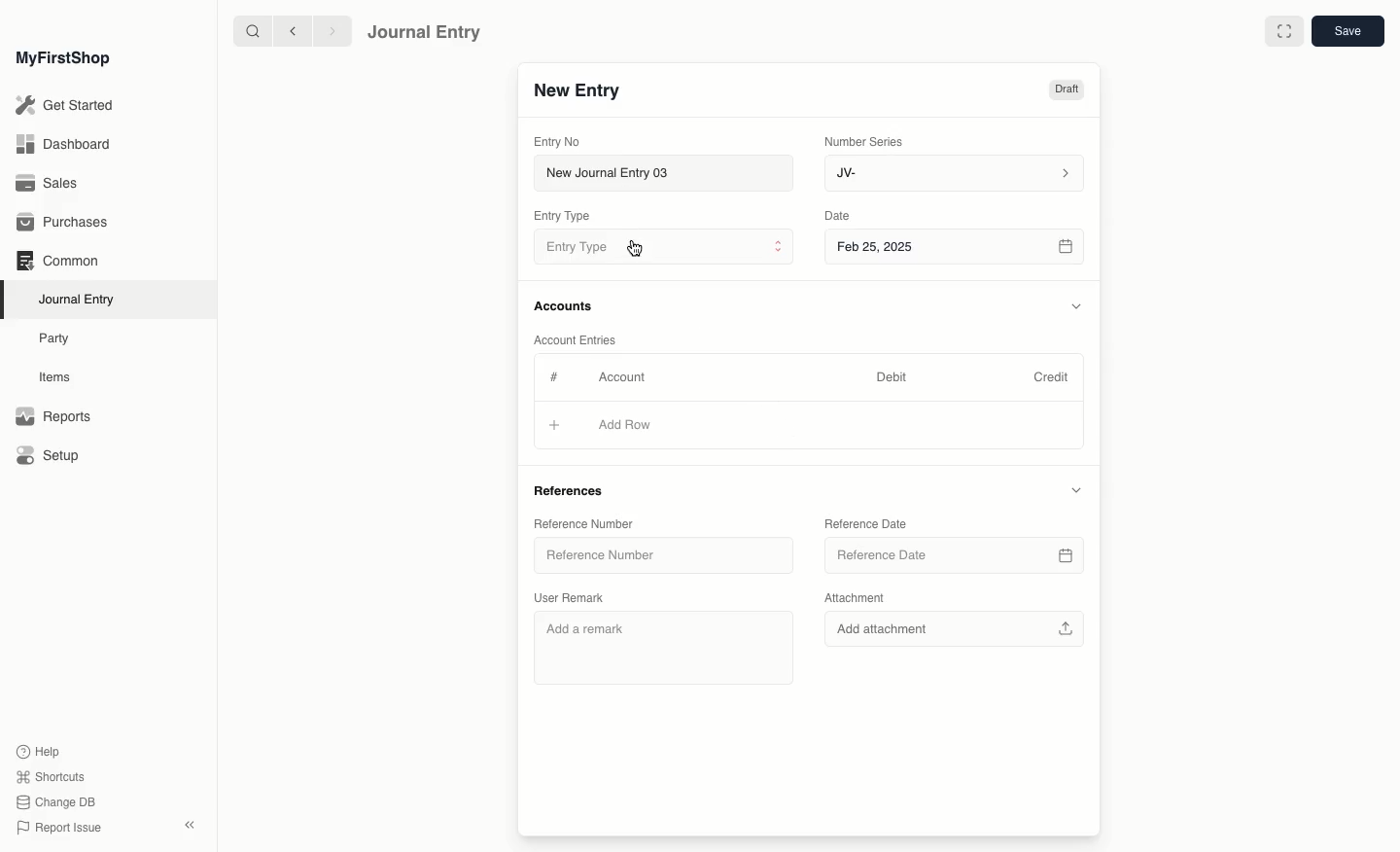 The image size is (1400, 852). I want to click on Entry No, so click(558, 141).